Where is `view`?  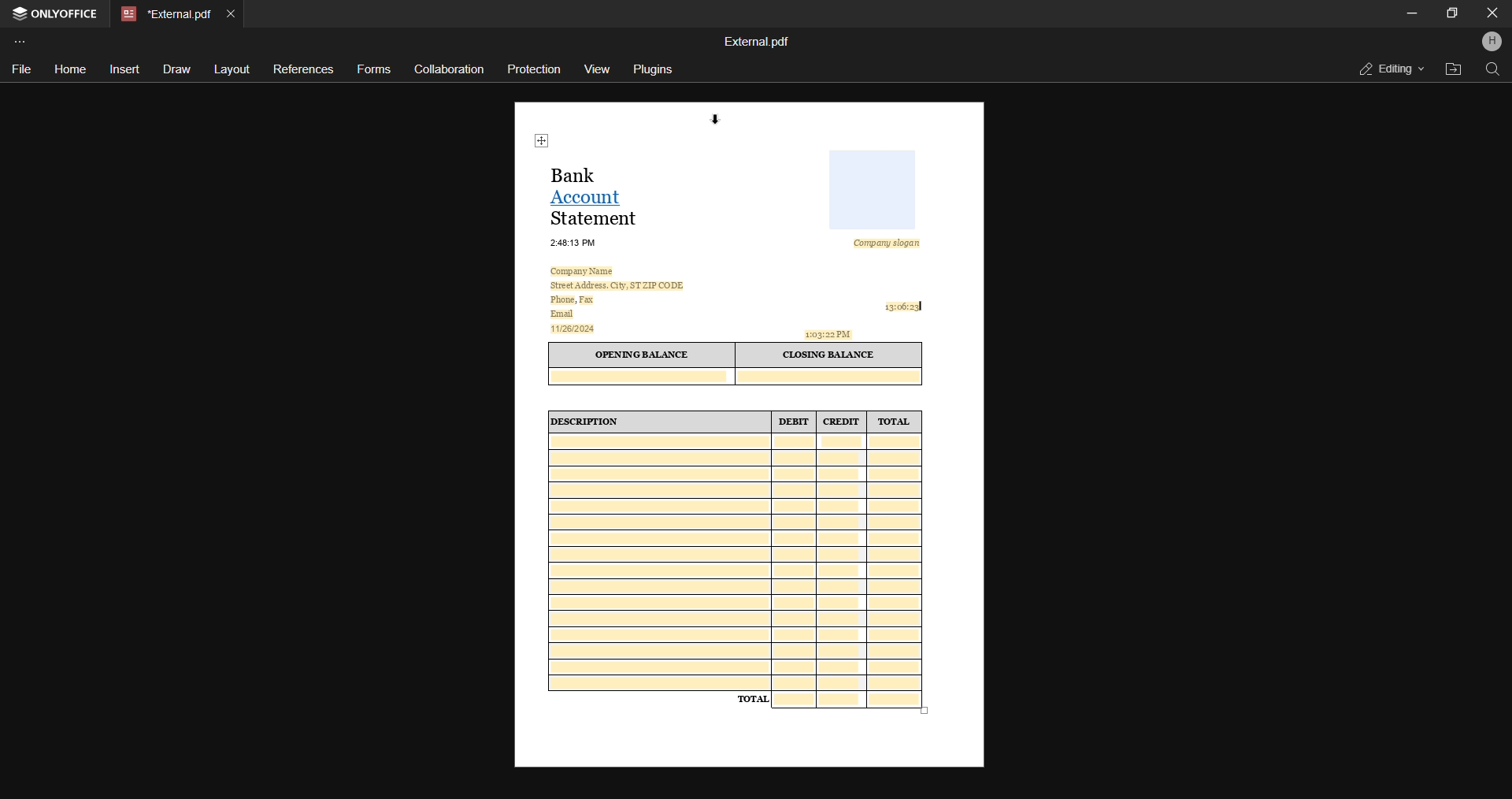
view is located at coordinates (598, 67).